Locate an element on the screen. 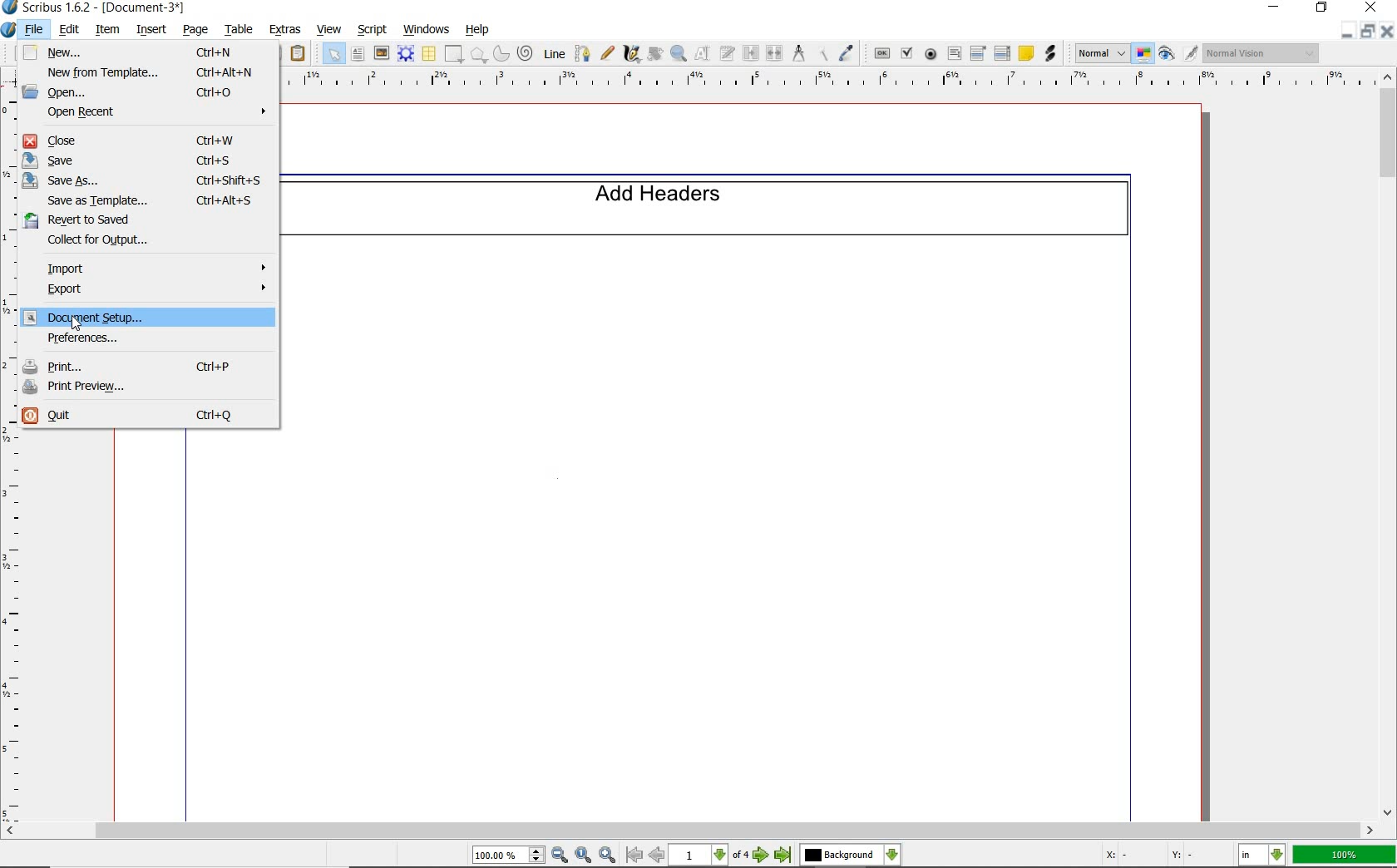  go to first page is located at coordinates (634, 856).